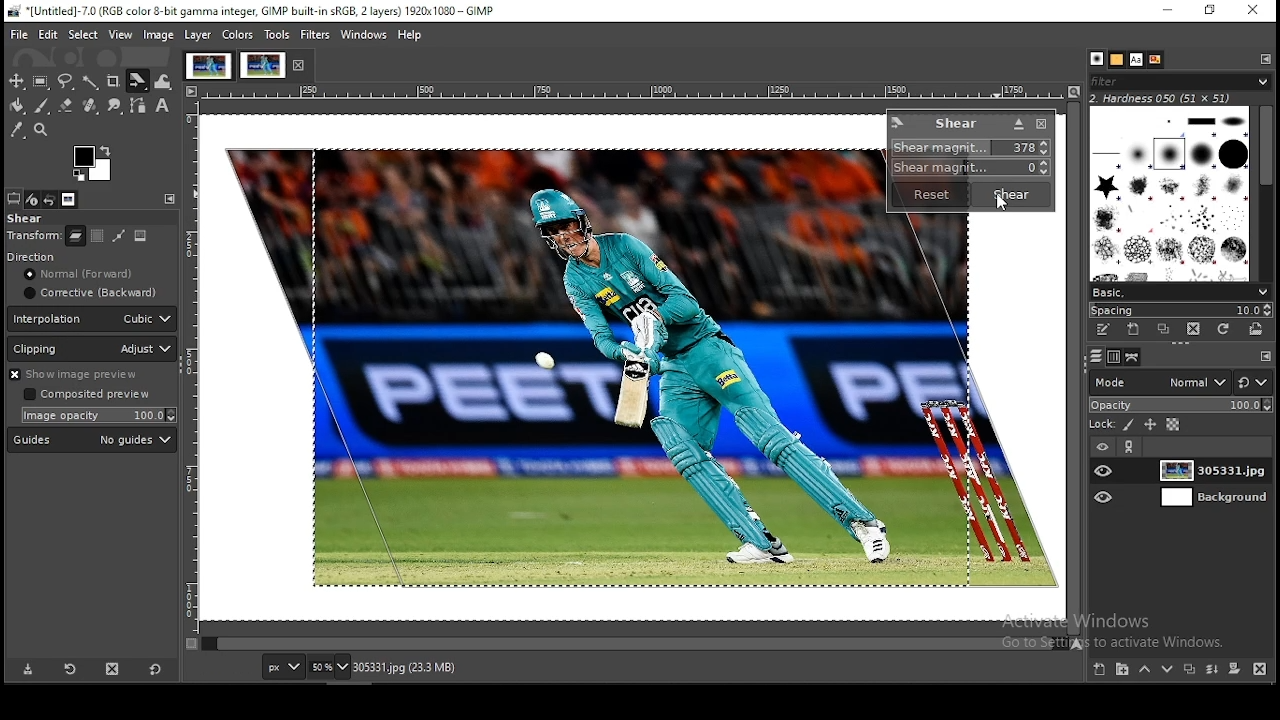  Describe the element at coordinates (1099, 447) in the screenshot. I see `layer visibility` at that location.